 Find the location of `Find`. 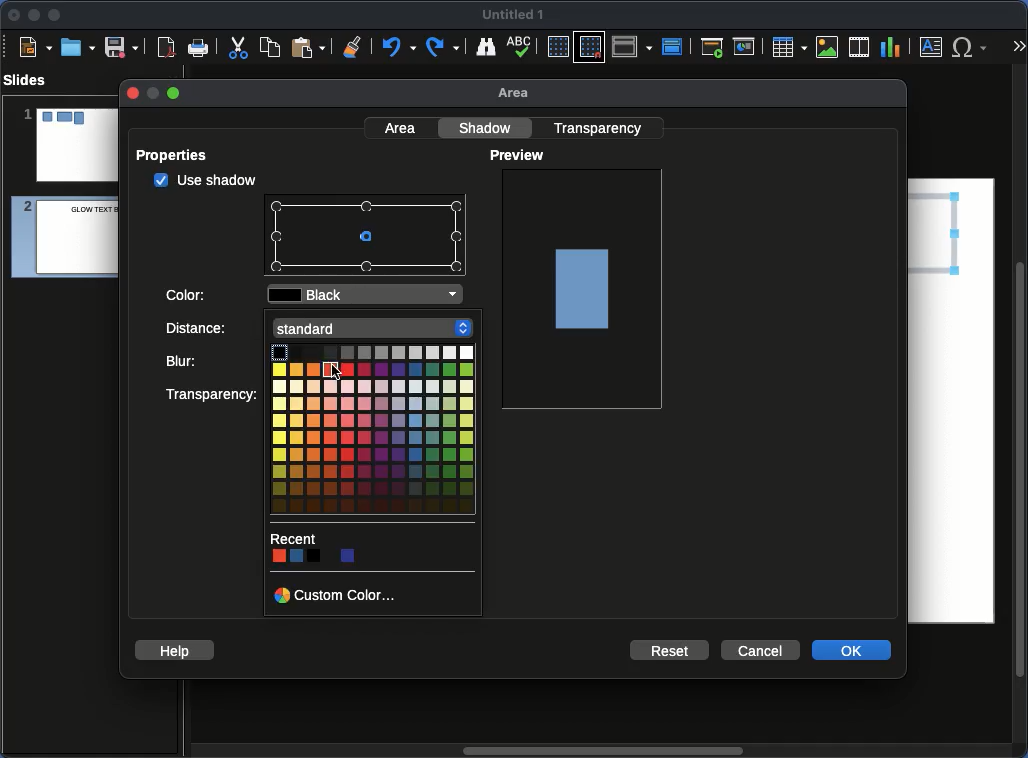

Find is located at coordinates (485, 46).